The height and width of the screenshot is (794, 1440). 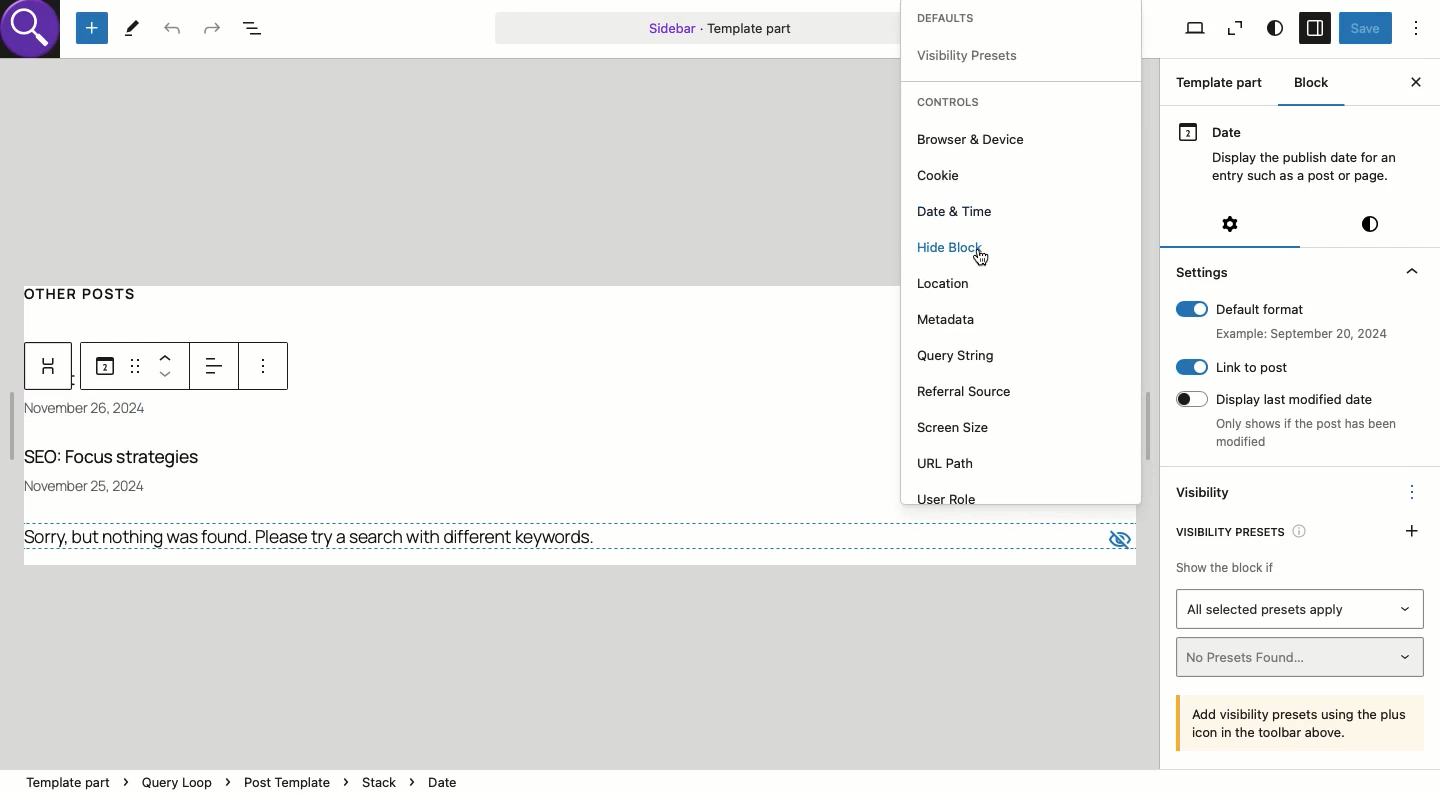 What do you see at coordinates (960, 356) in the screenshot?
I see `Query string` at bounding box center [960, 356].